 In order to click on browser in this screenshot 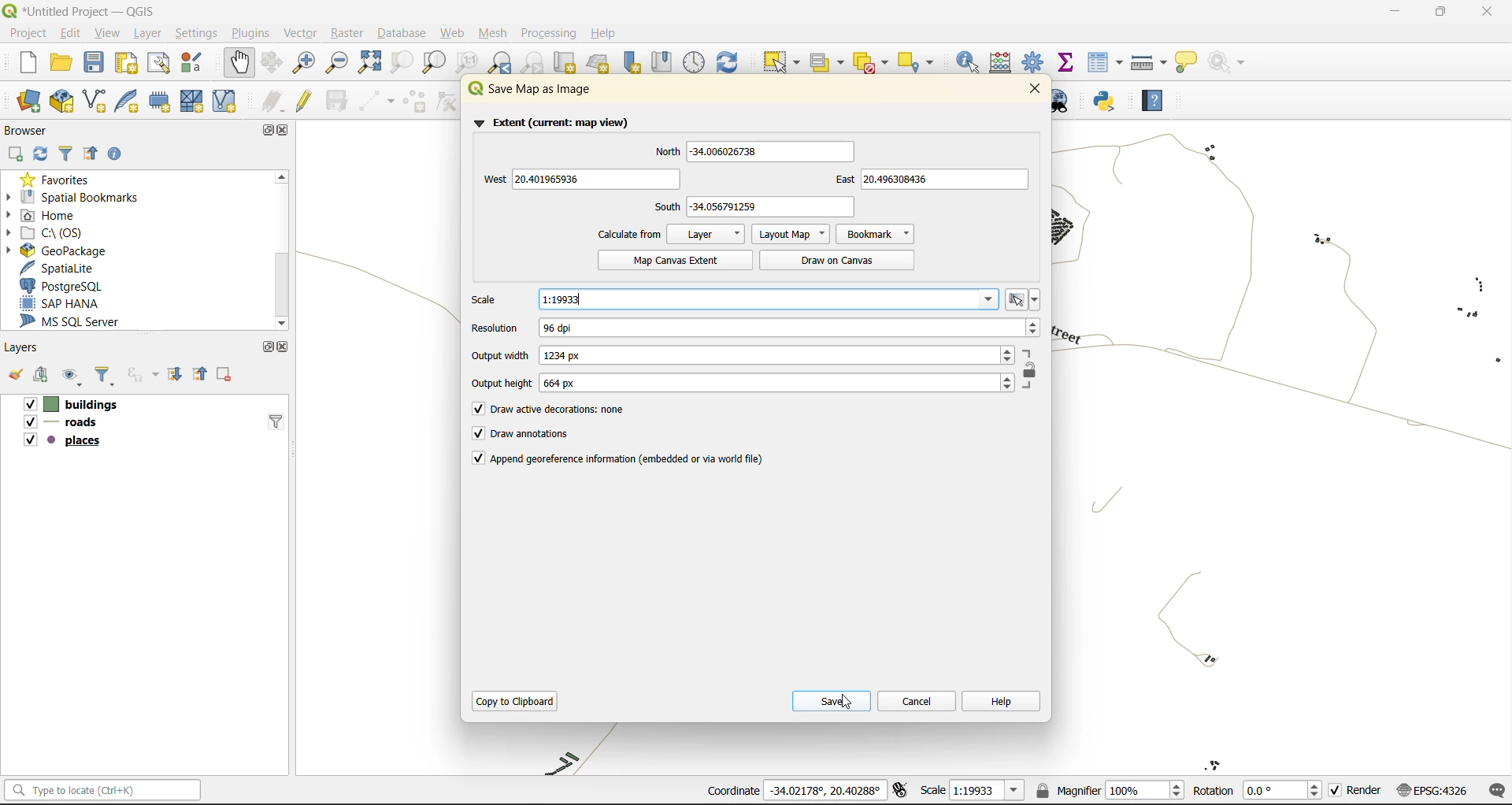, I will do `click(27, 131)`.